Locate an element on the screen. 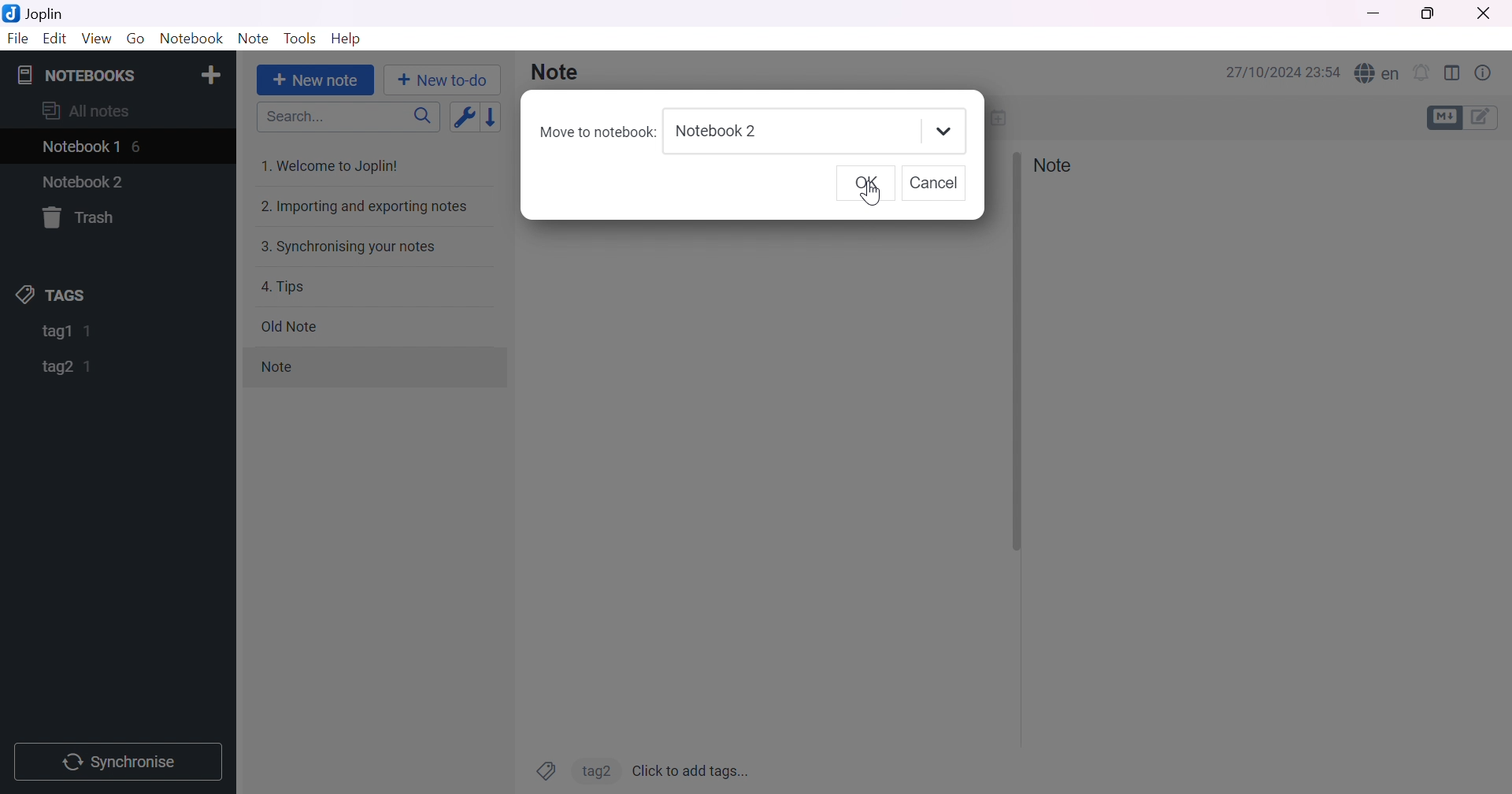 The height and width of the screenshot is (794, 1512). tag2 is located at coordinates (58, 367).